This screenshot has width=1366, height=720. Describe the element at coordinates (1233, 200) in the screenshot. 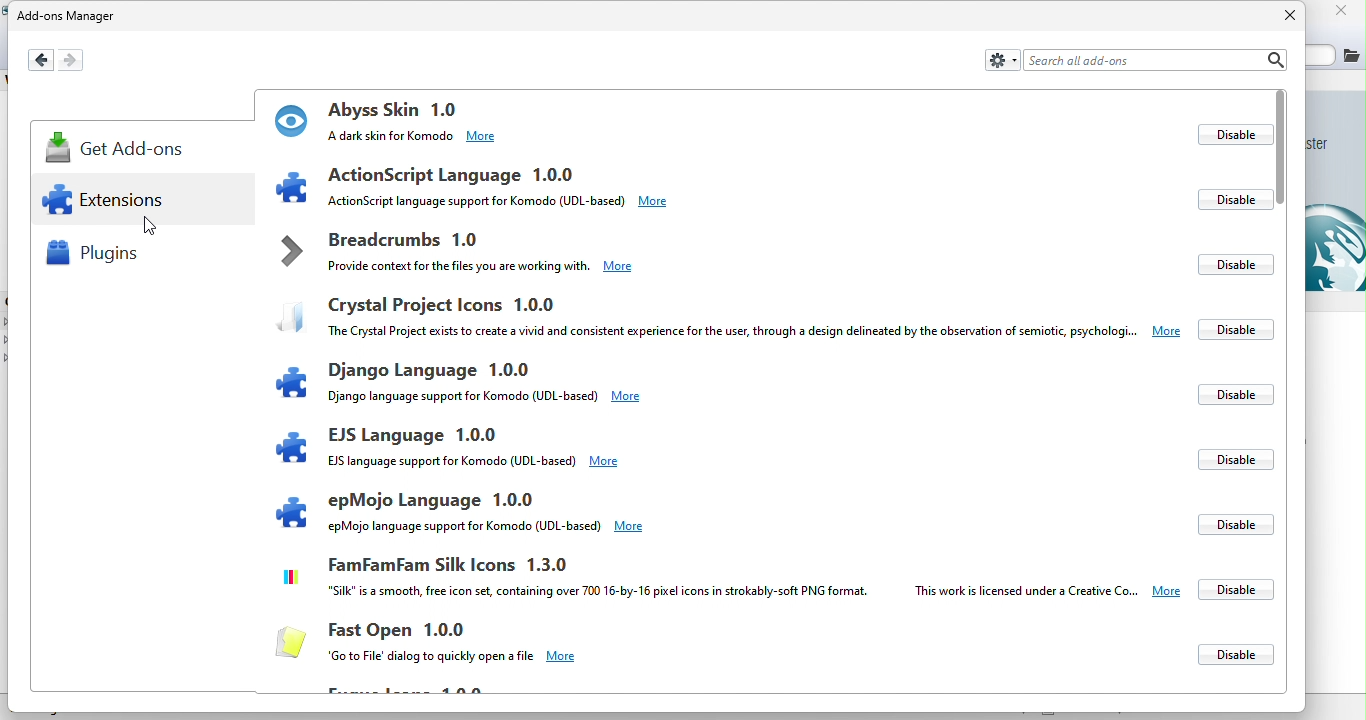

I see `disable` at that location.